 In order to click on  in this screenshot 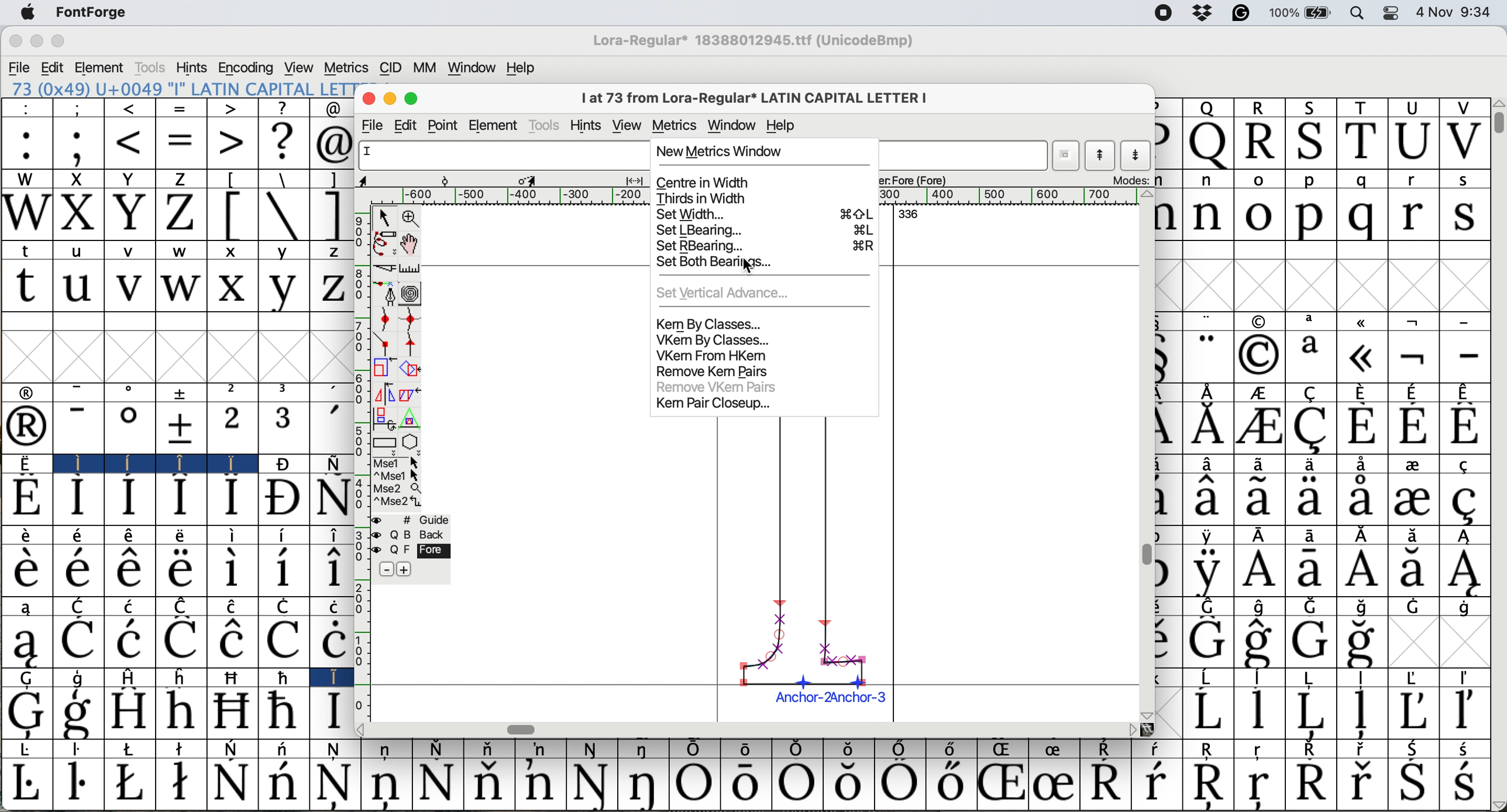, I will do `click(1146, 195)`.